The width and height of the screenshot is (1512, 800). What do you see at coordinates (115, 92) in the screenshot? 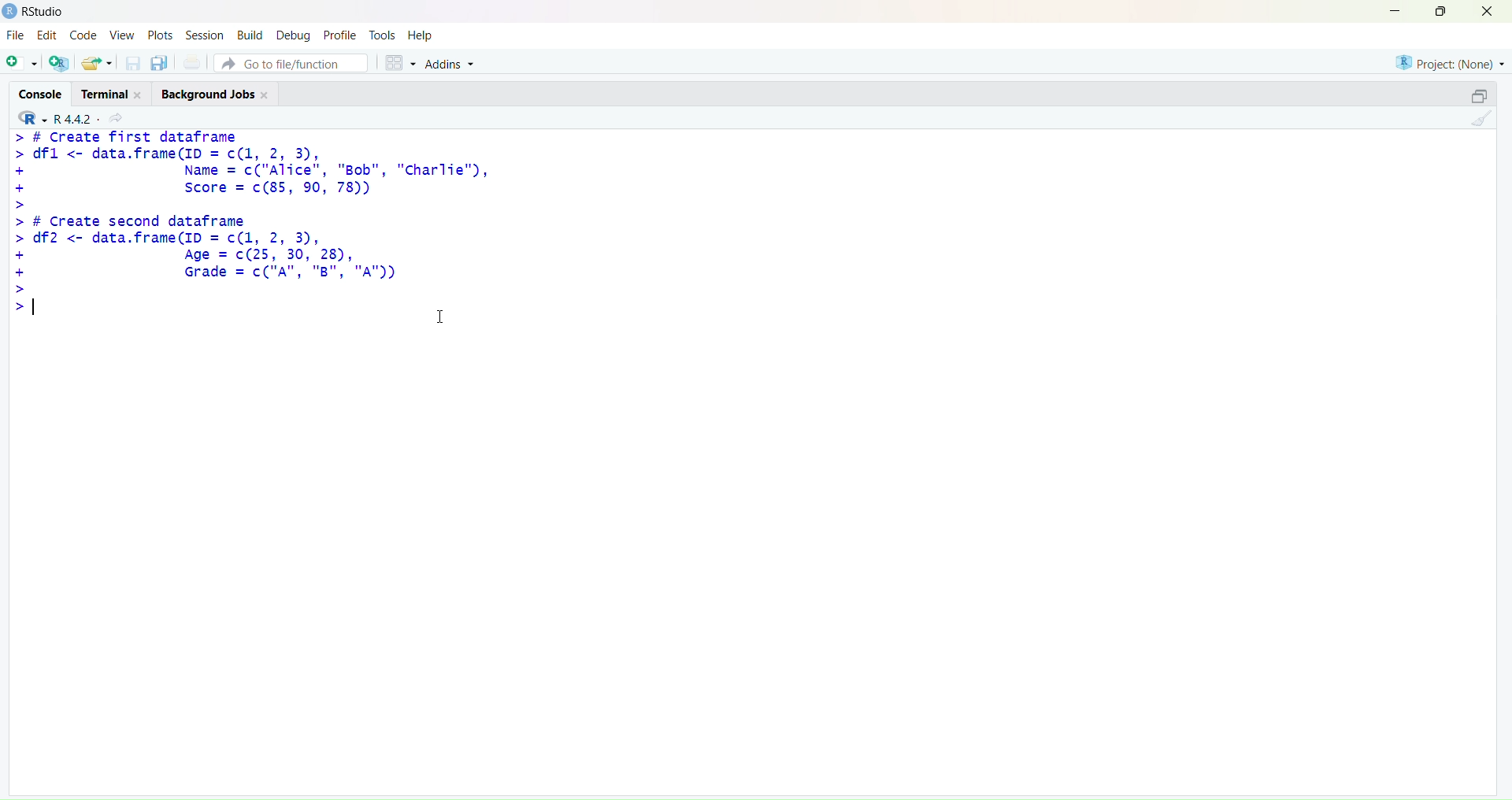
I see `Terminal` at bounding box center [115, 92].